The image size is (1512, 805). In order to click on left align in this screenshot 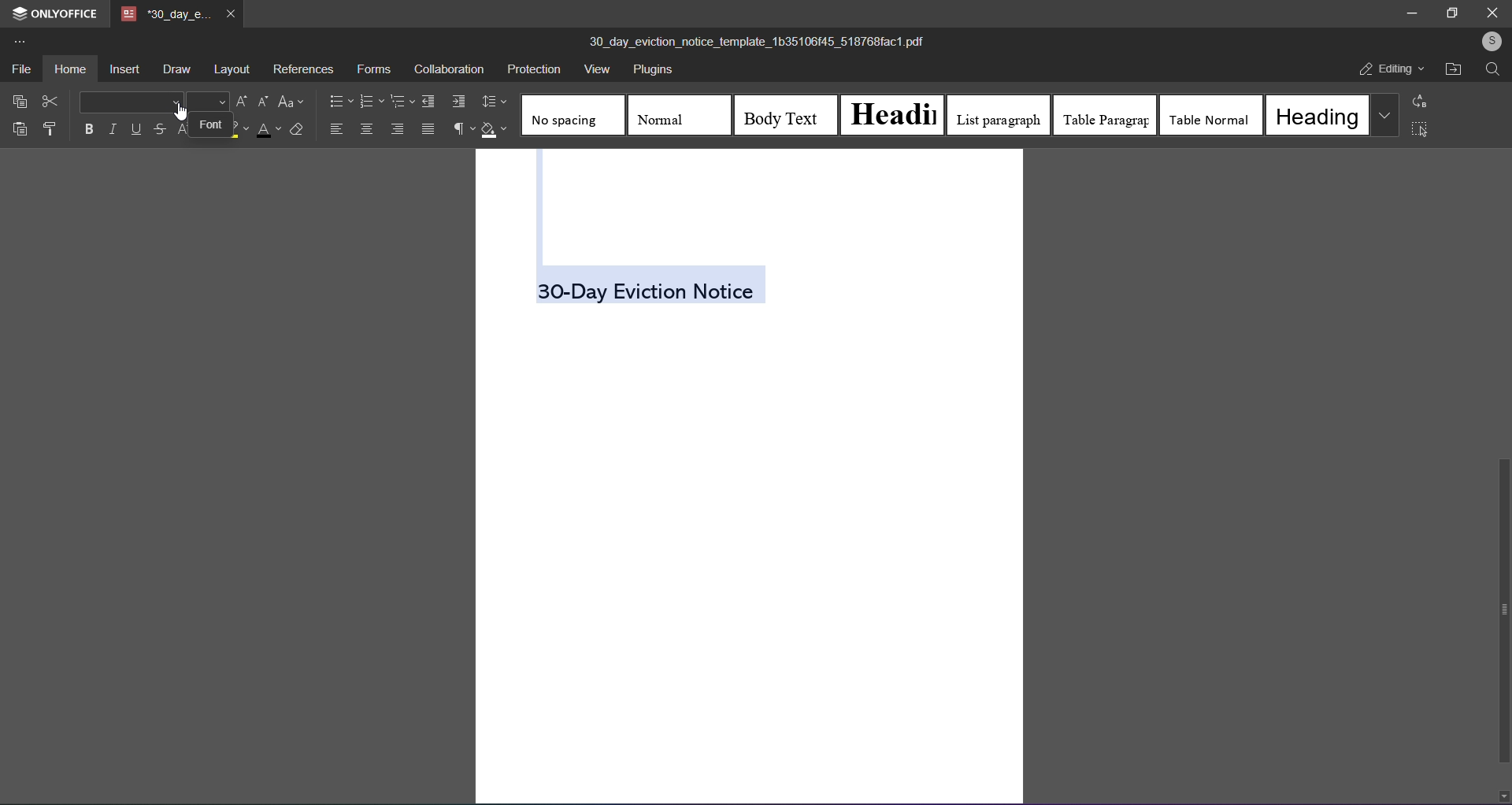, I will do `click(338, 128)`.